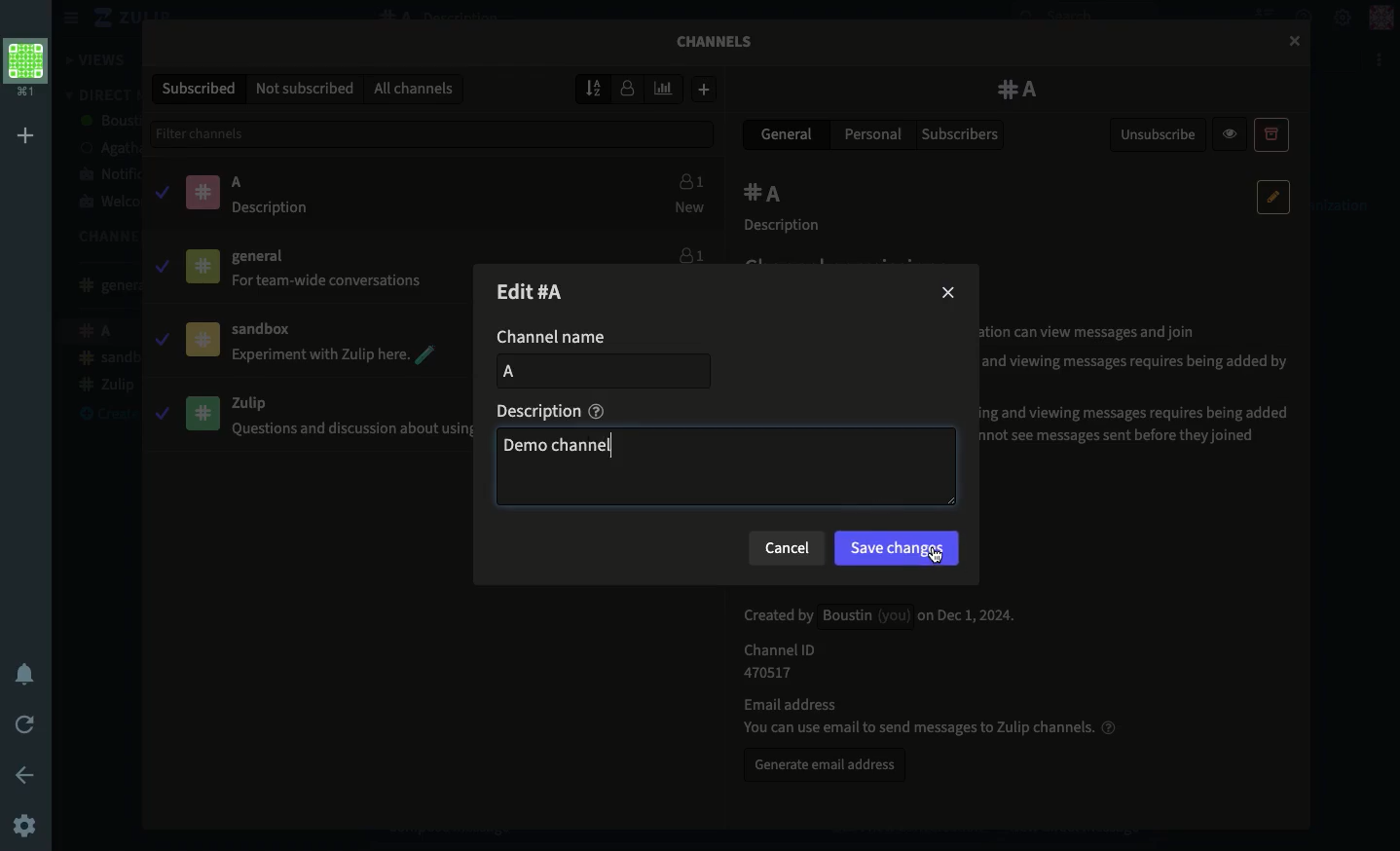 This screenshot has width=1400, height=851. I want to click on Profile, so click(1381, 18).